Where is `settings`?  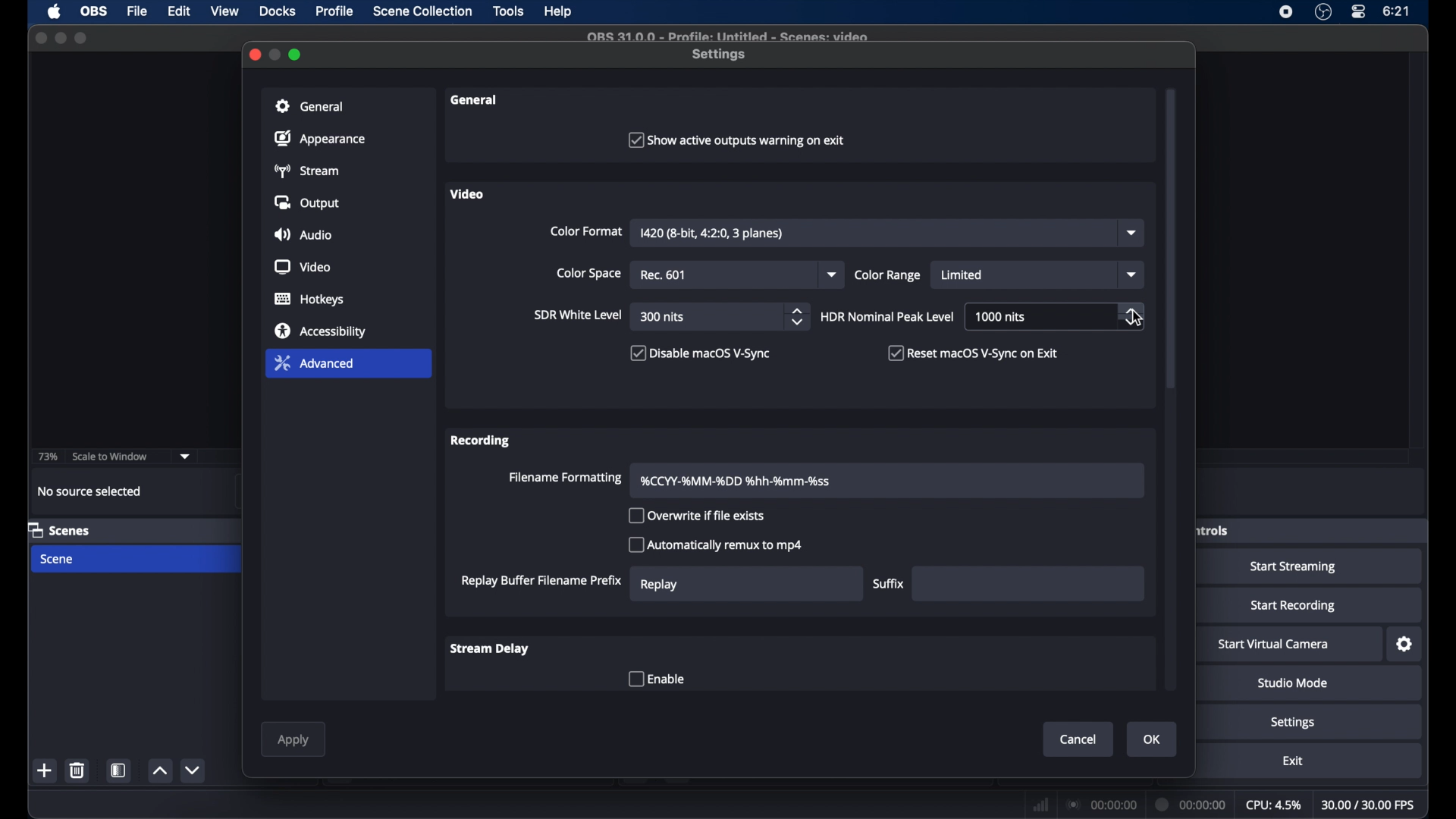
settings is located at coordinates (720, 55).